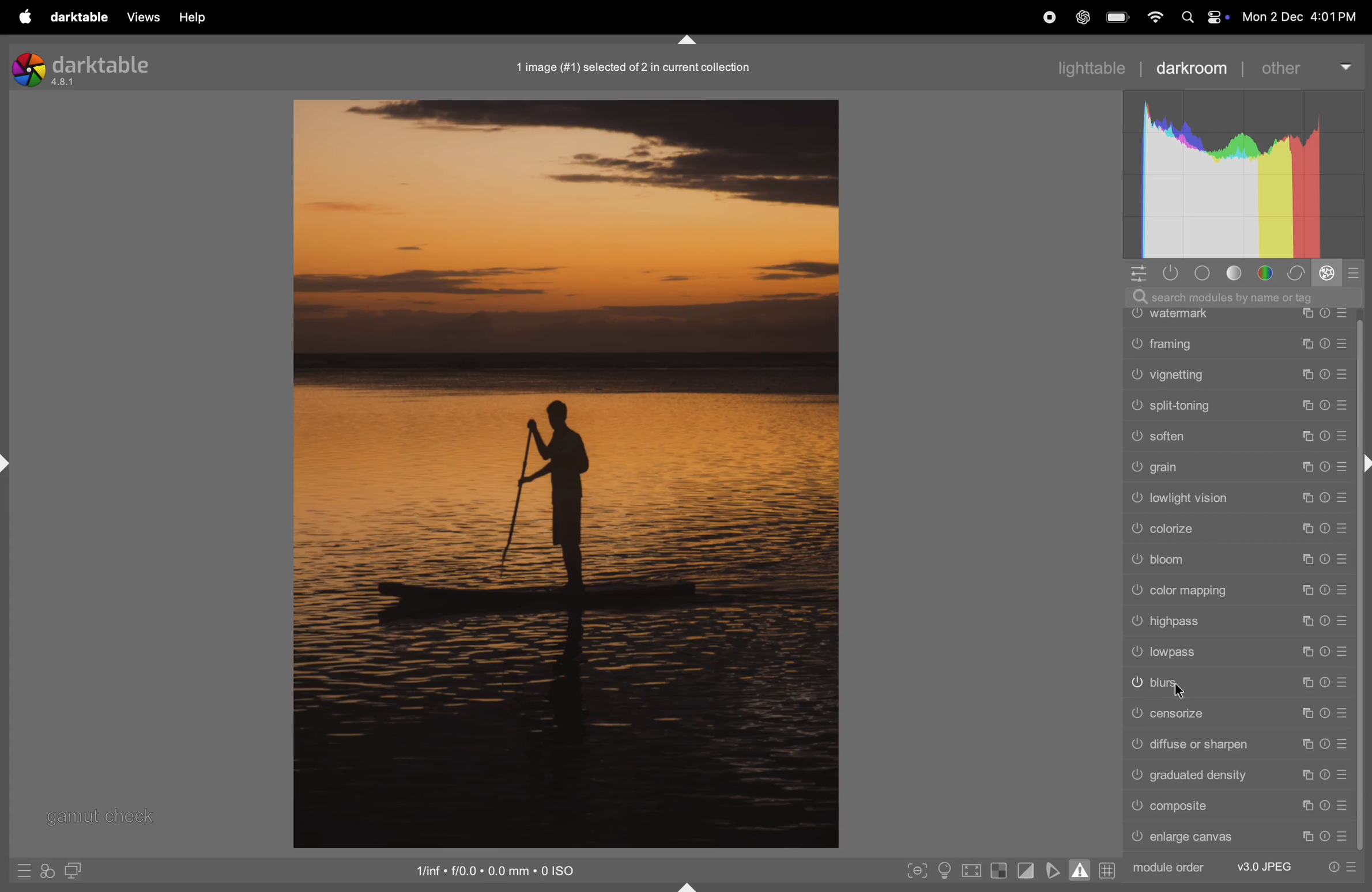 This screenshot has width=1372, height=892. What do you see at coordinates (1238, 682) in the screenshot?
I see `blurs` at bounding box center [1238, 682].